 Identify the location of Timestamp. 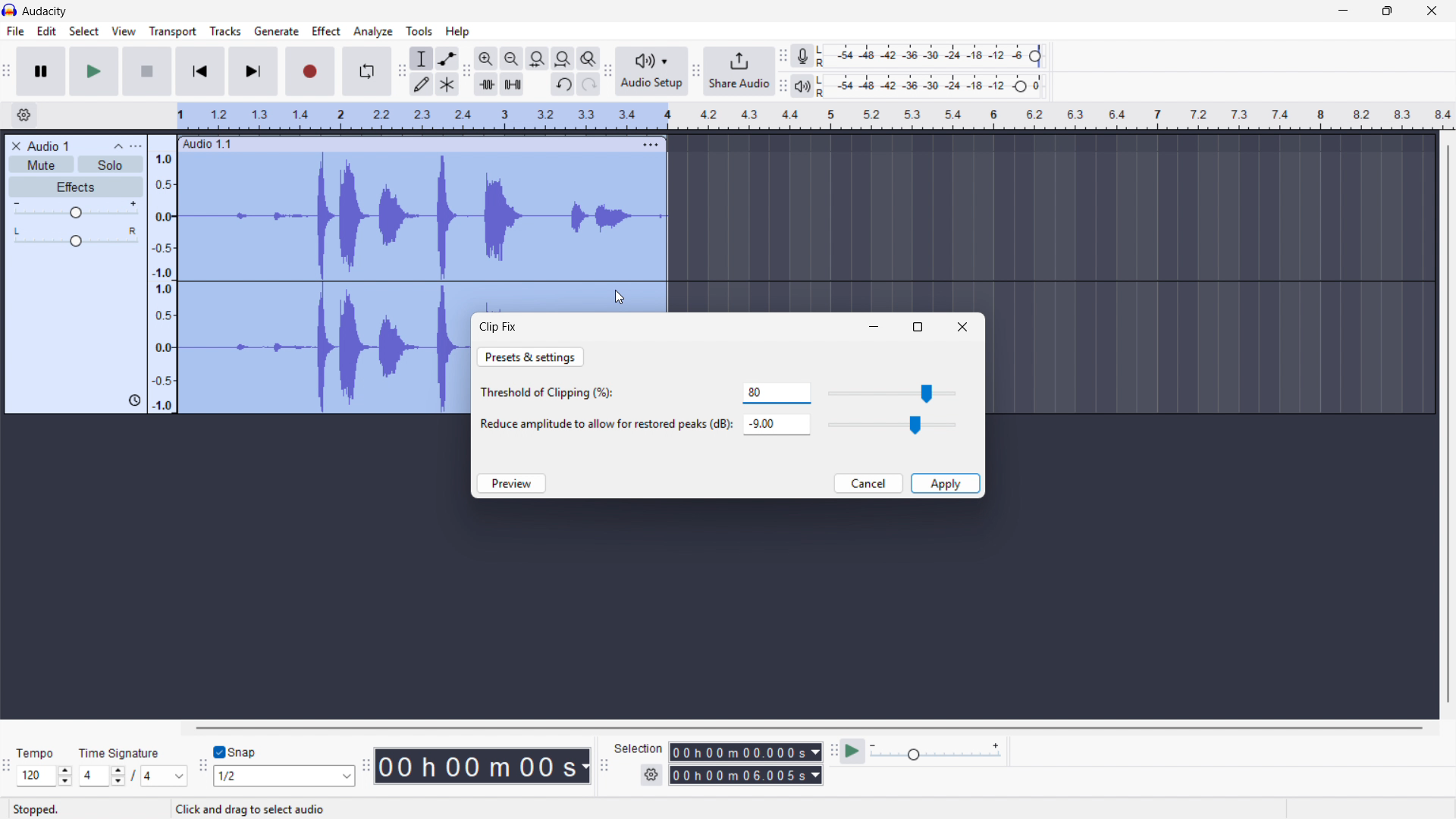
(483, 766).